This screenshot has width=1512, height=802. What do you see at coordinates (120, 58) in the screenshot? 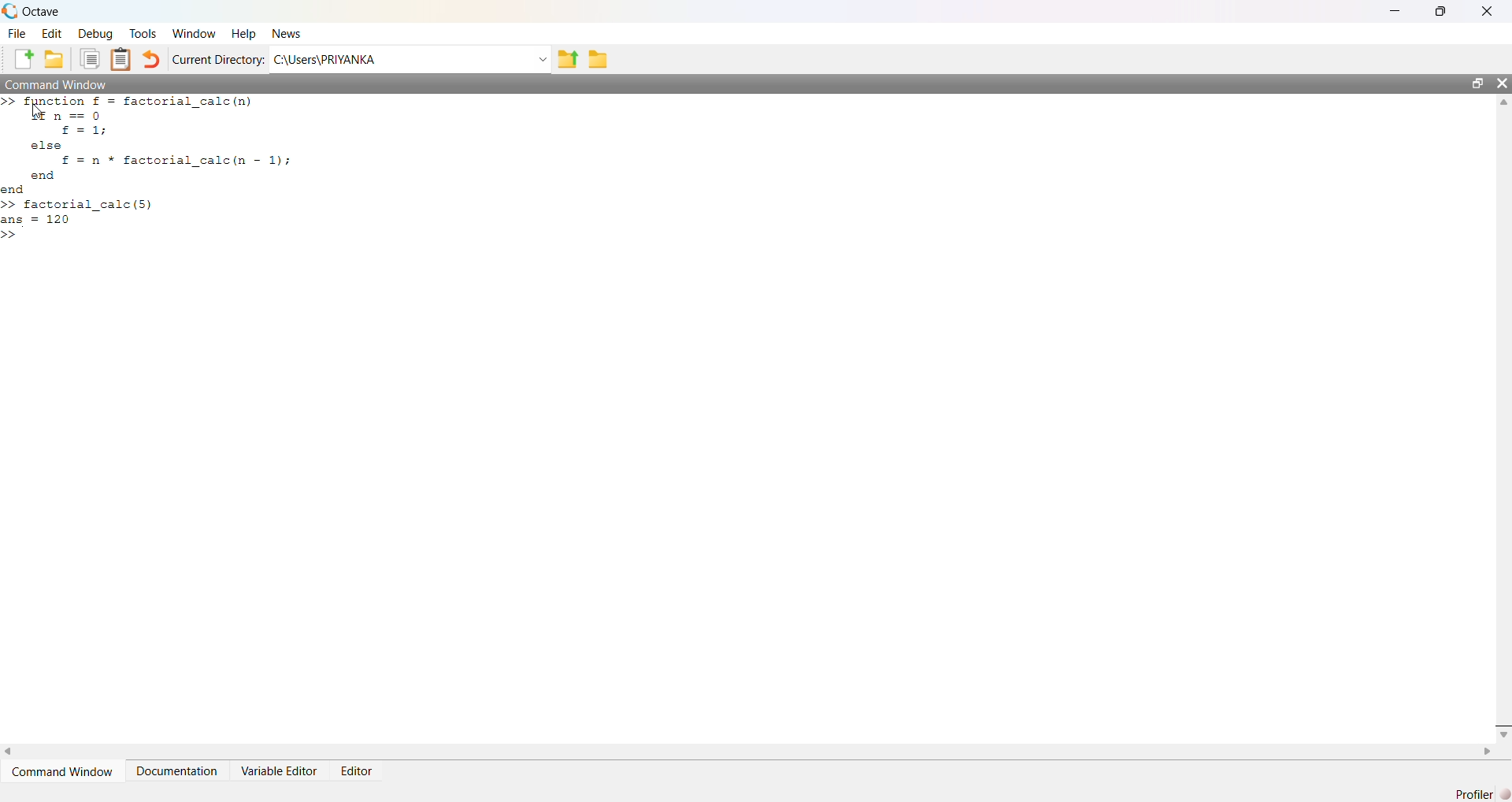
I see `clip board` at bounding box center [120, 58].